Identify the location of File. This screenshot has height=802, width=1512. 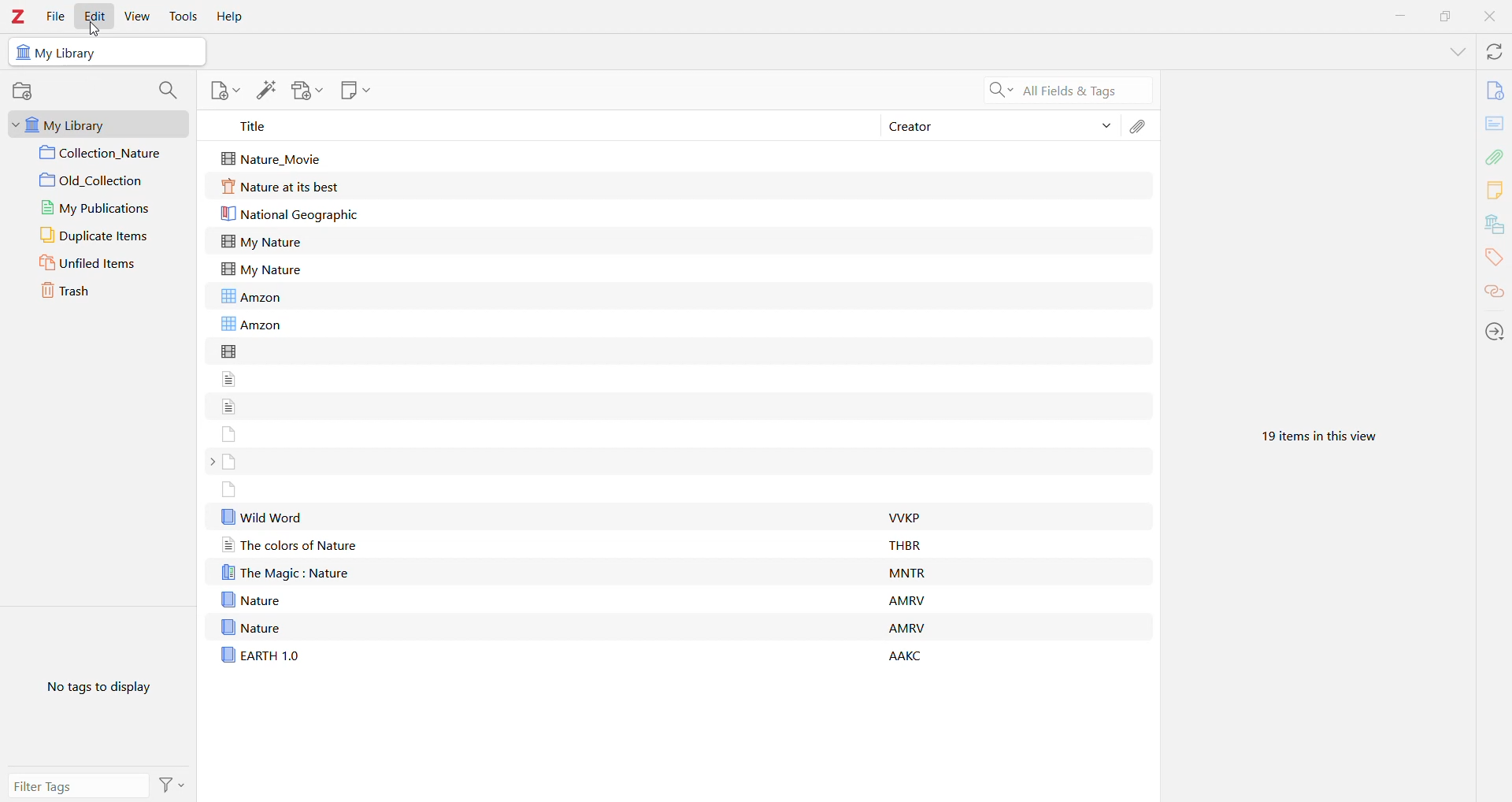
(56, 16).